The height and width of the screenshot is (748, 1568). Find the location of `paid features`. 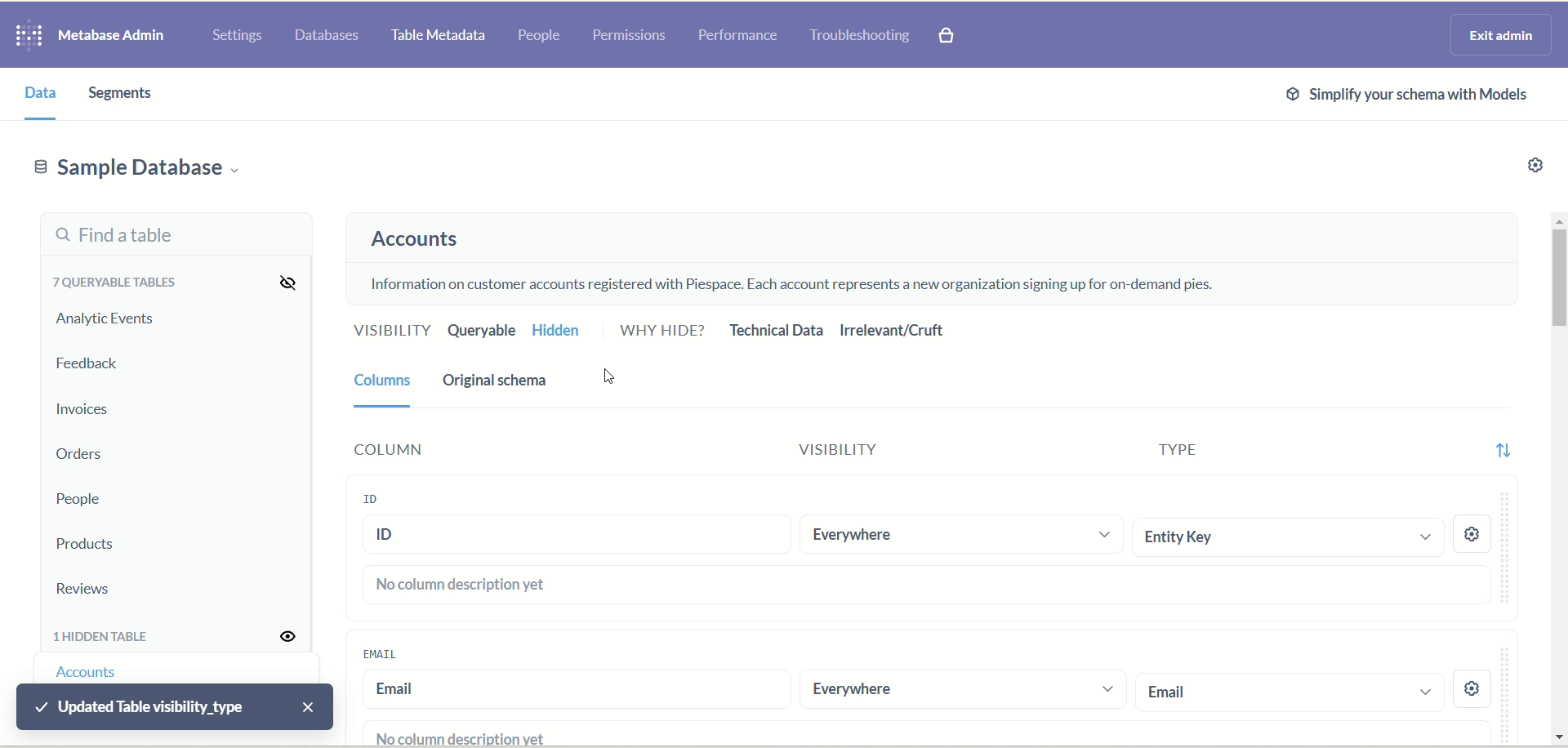

paid features is located at coordinates (952, 39).